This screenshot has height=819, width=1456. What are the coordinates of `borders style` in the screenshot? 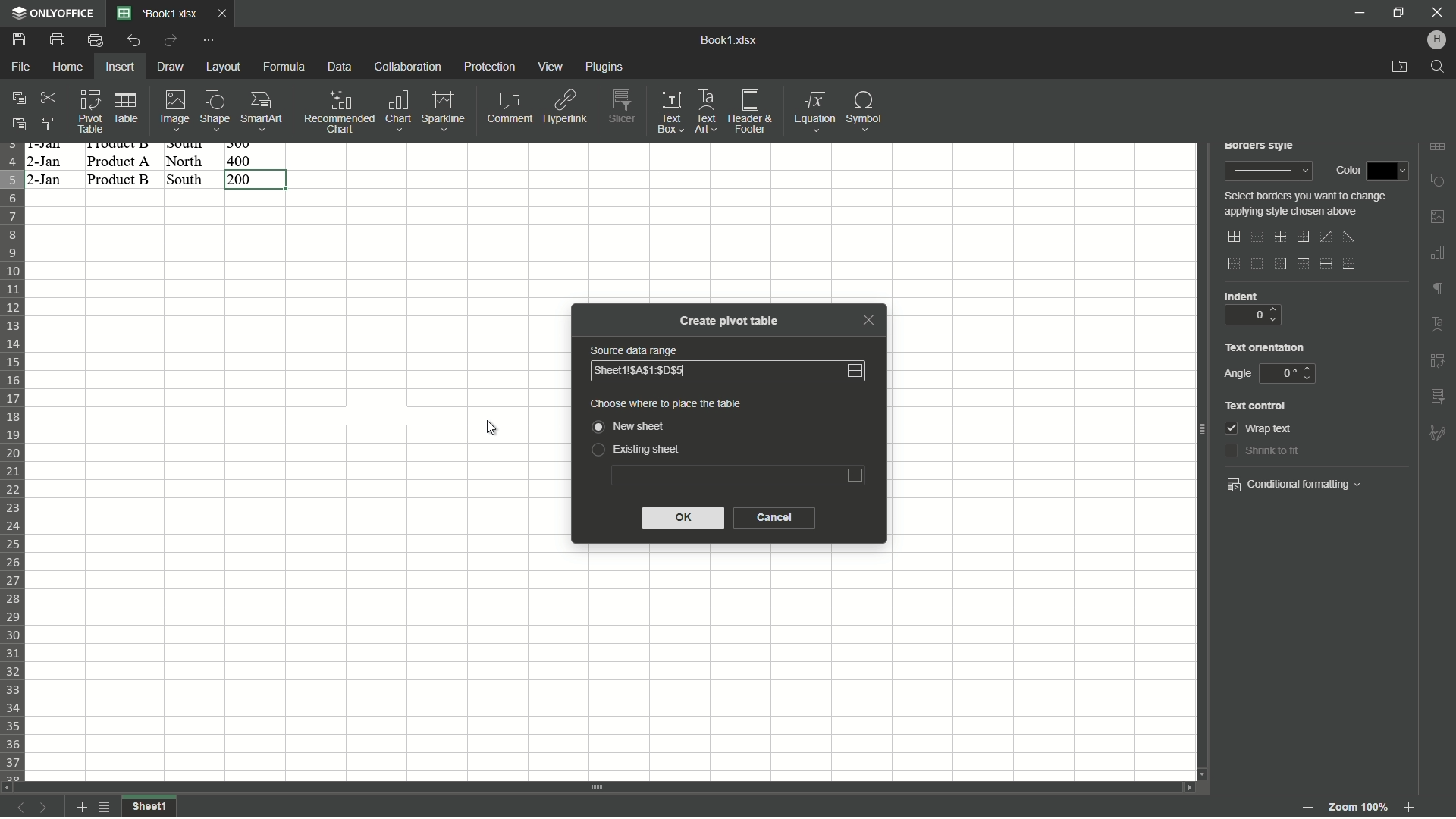 It's located at (1258, 147).